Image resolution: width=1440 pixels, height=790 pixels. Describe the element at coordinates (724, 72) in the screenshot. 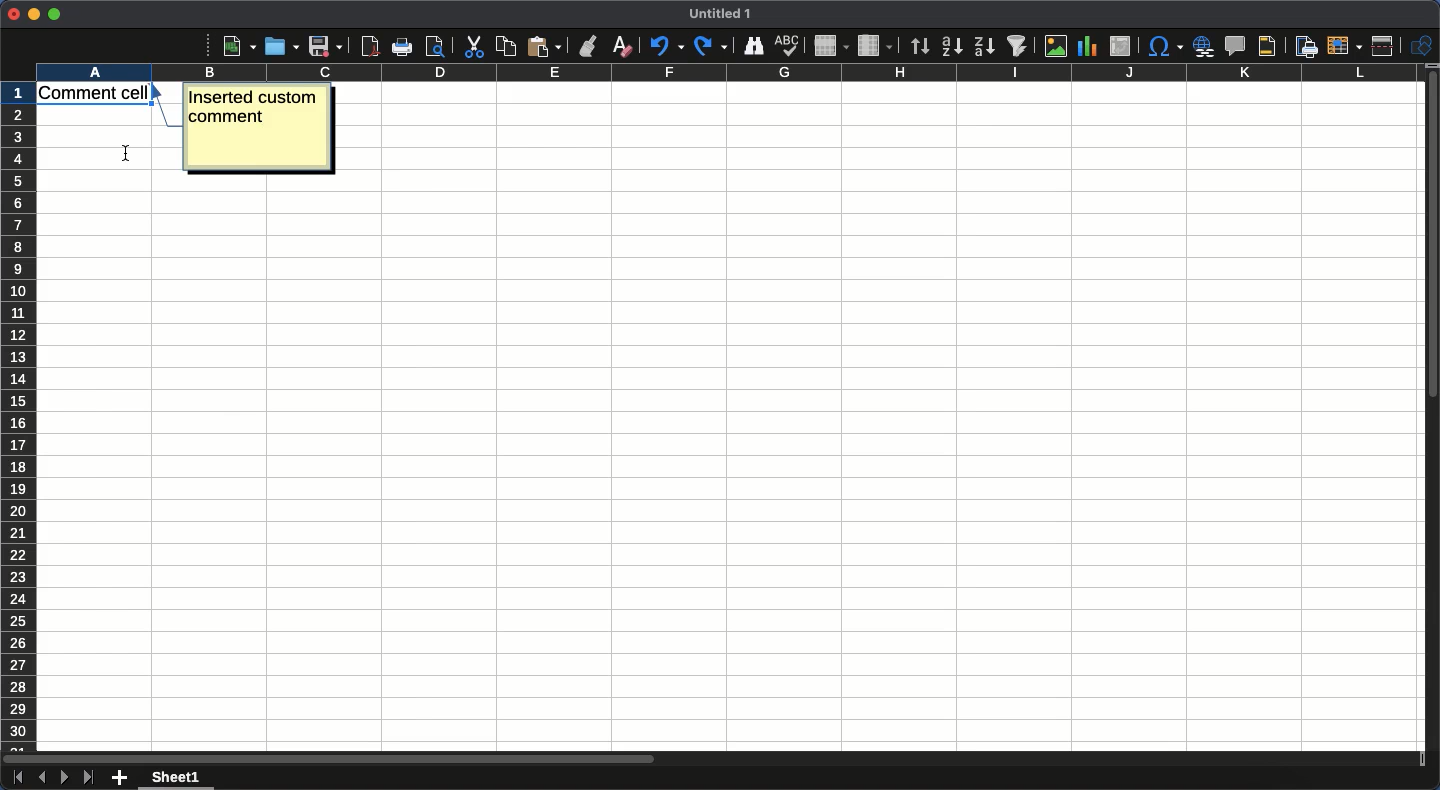

I see `Column` at that location.